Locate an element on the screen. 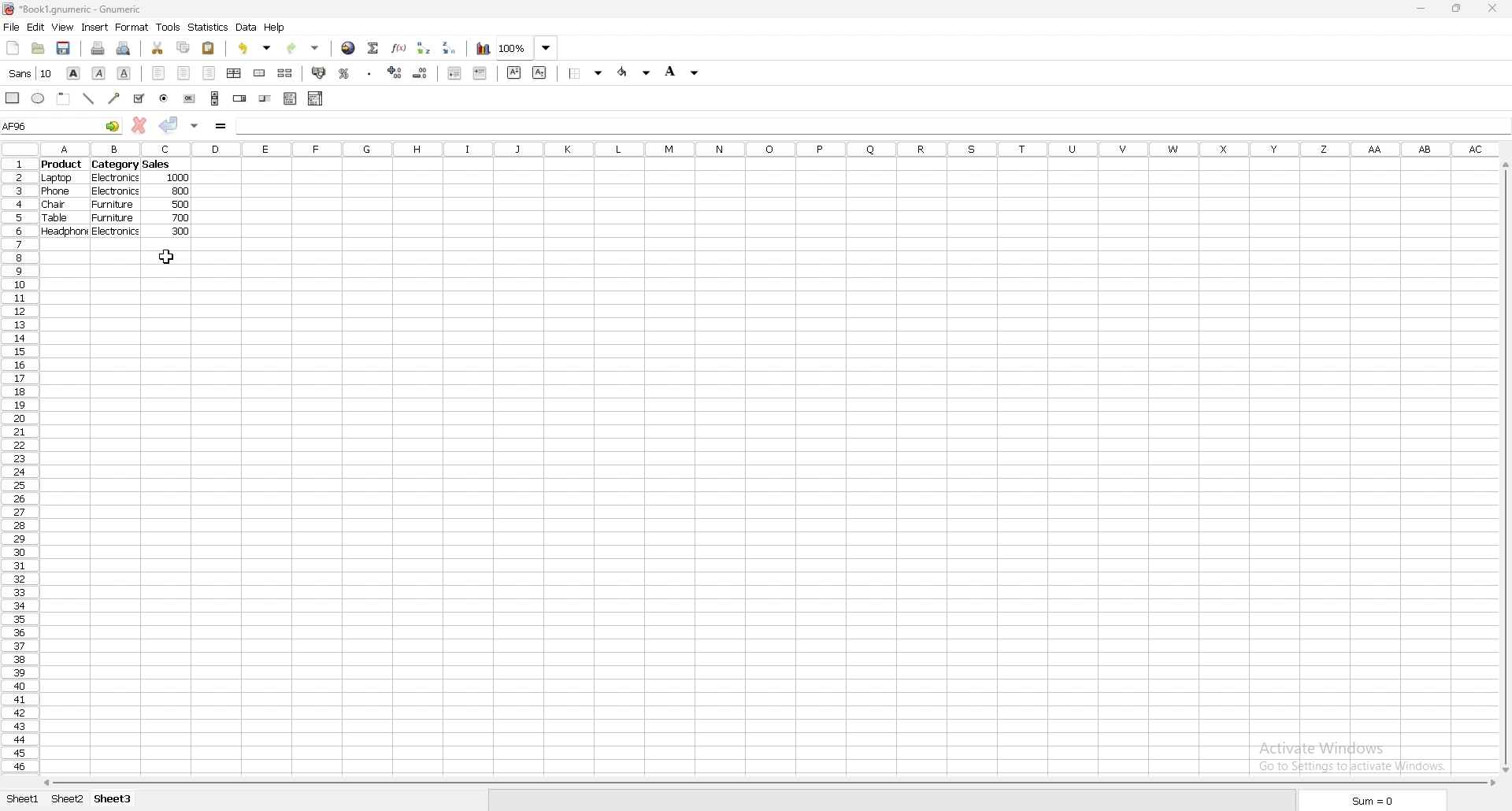 This screenshot has width=1512, height=811. radio button is located at coordinates (163, 98).